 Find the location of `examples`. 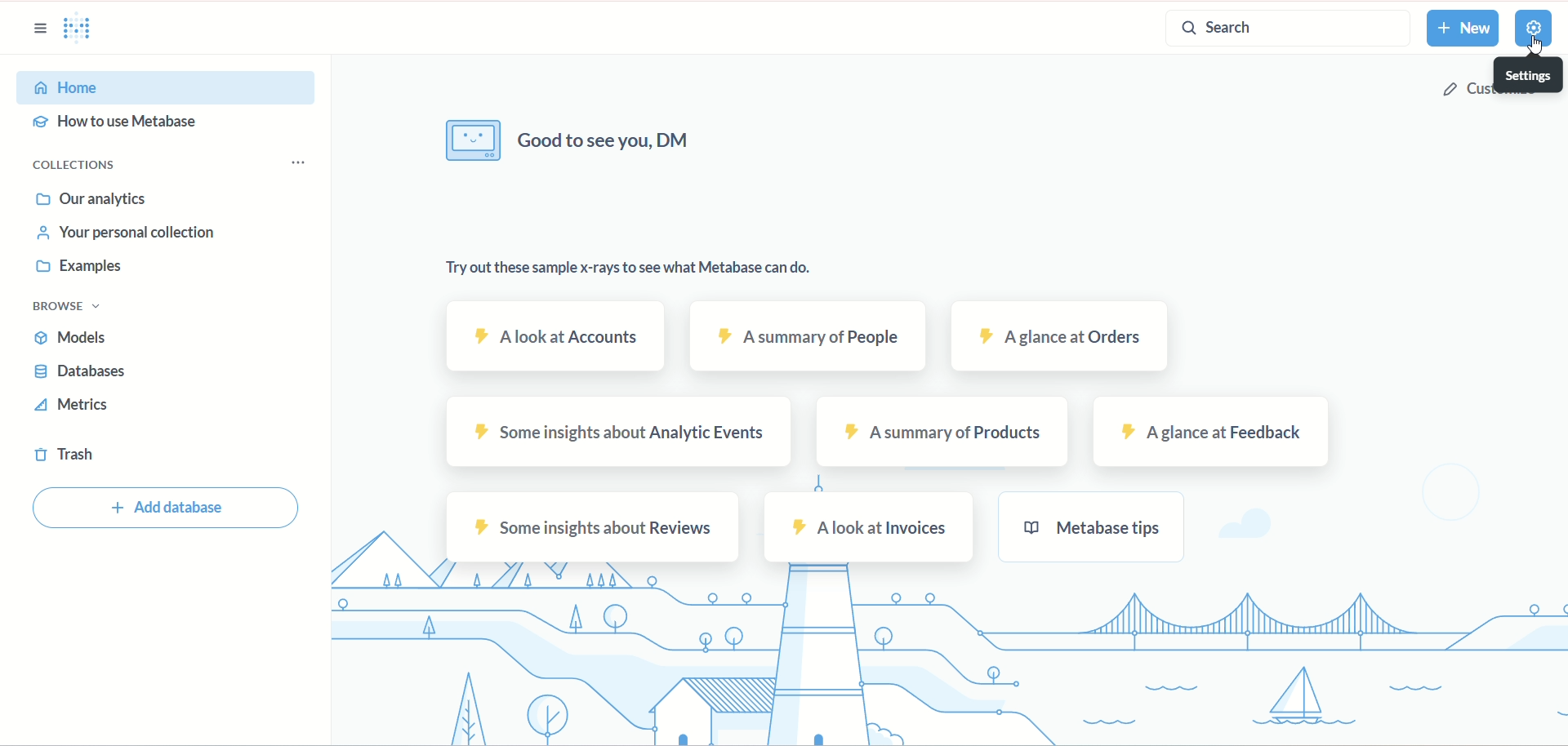

examples is located at coordinates (90, 271).